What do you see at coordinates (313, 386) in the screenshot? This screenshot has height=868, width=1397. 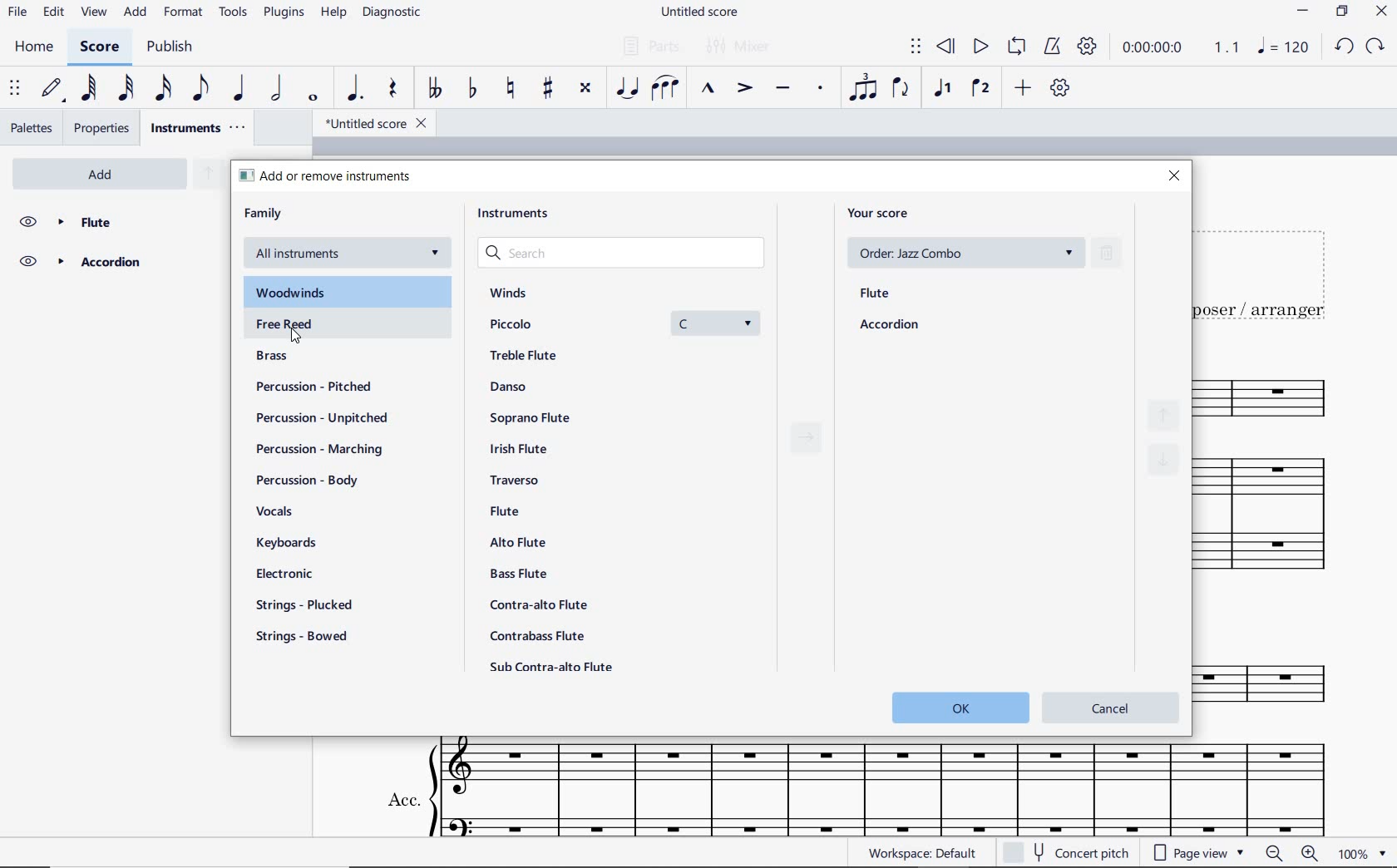 I see `percussion - pitched` at bounding box center [313, 386].